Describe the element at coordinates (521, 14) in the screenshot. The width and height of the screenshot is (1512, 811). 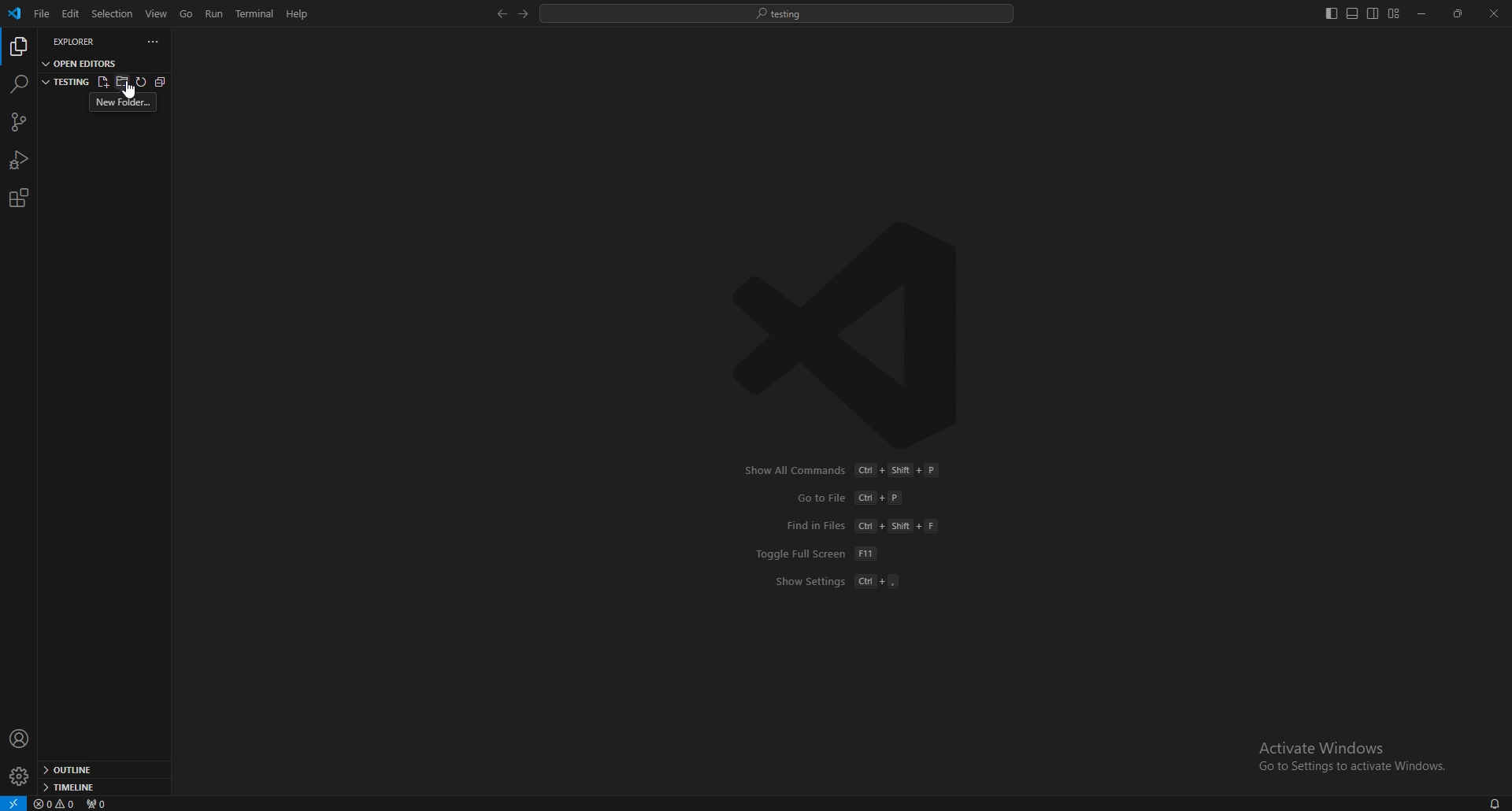
I see `forward` at that location.